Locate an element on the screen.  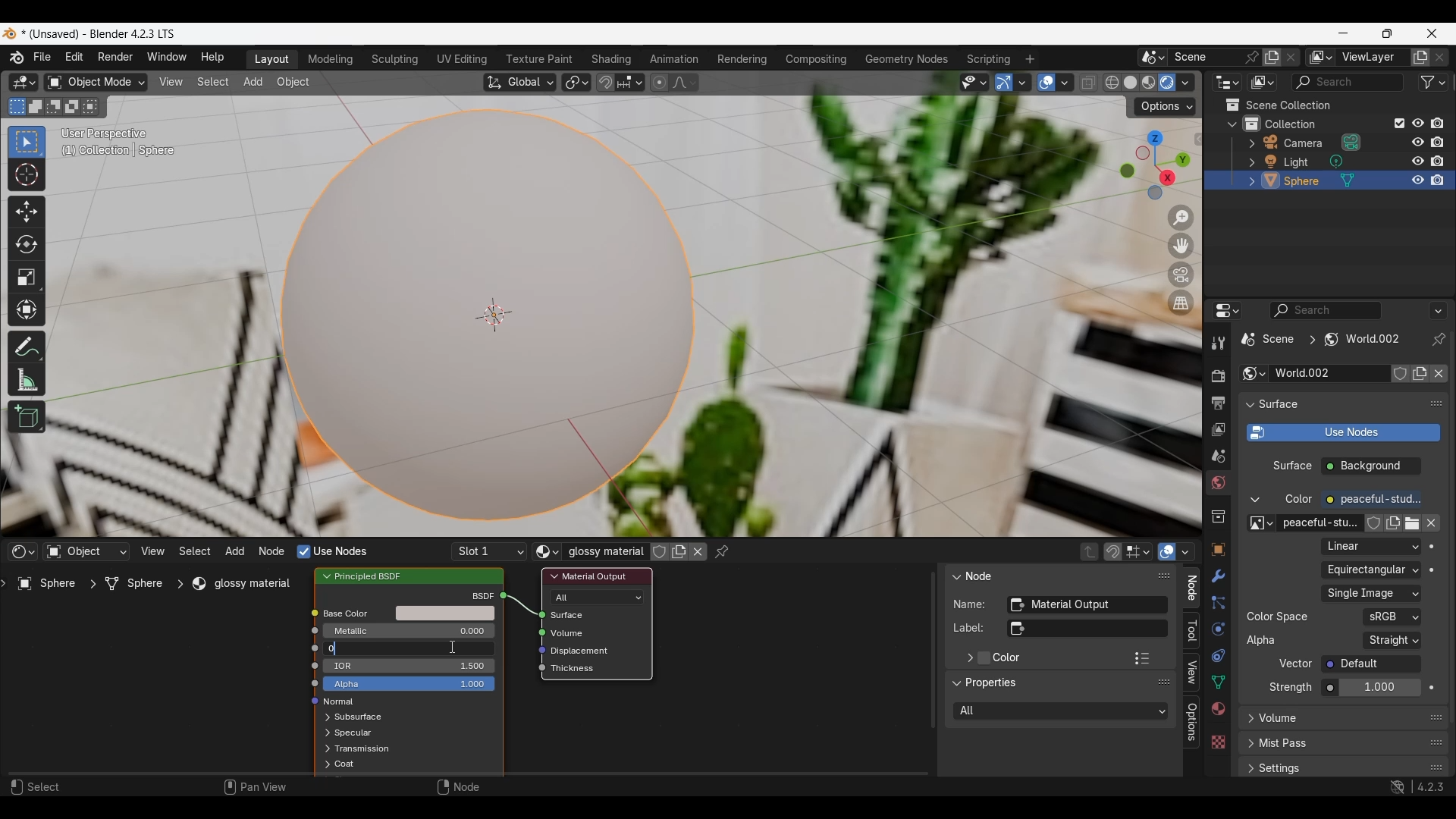
Measure is located at coordinates (25, 380).